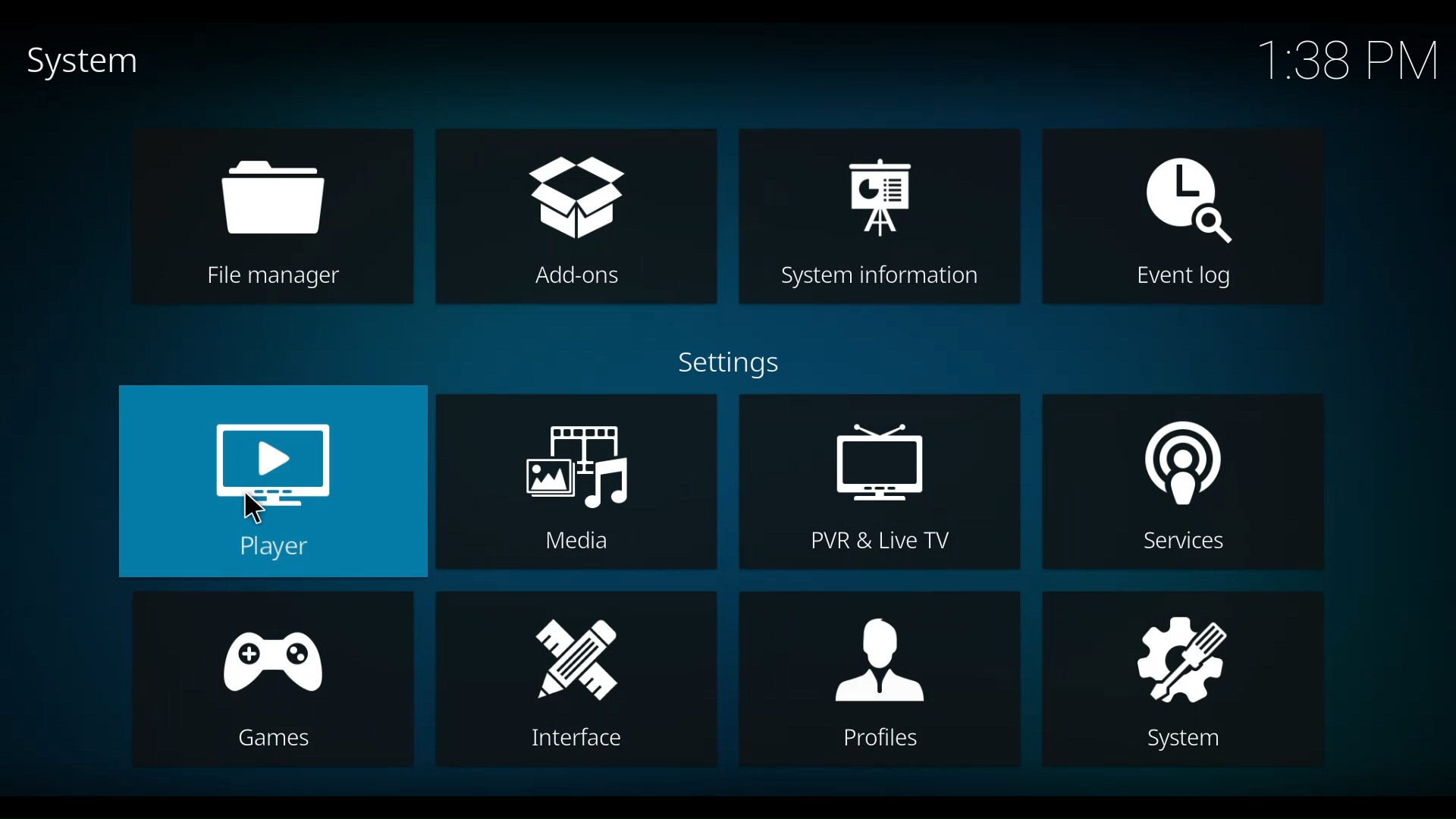  Describe the element at coordinates (730, 362) in the screenshot. I see `Settings` at that location.